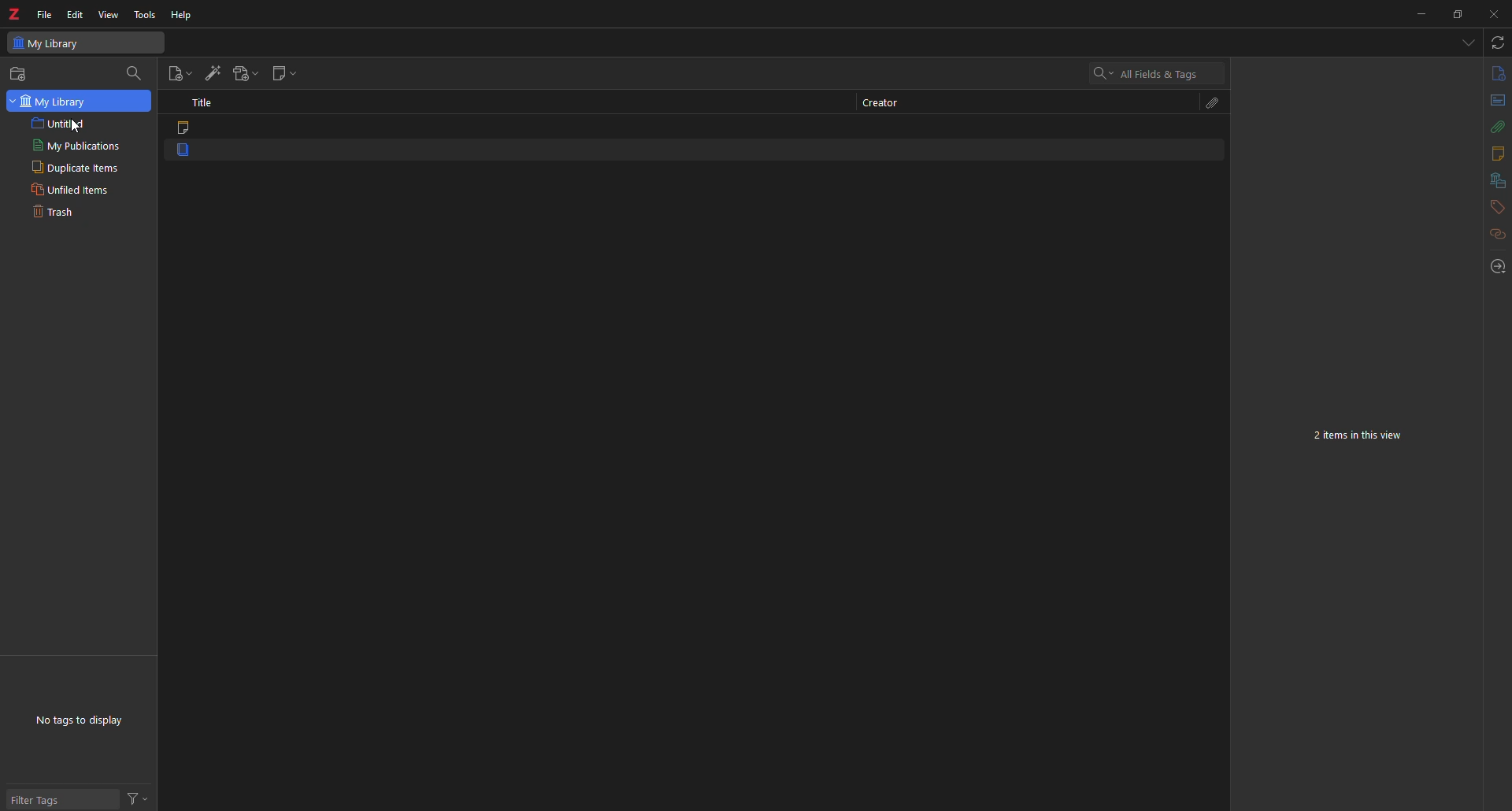 Image resolution: width=1512 pixels, height=811 pixels. What do you see at coordinates (1499, 43) in the screenshot?
I see `sync` at bounding box center [1499, 43].